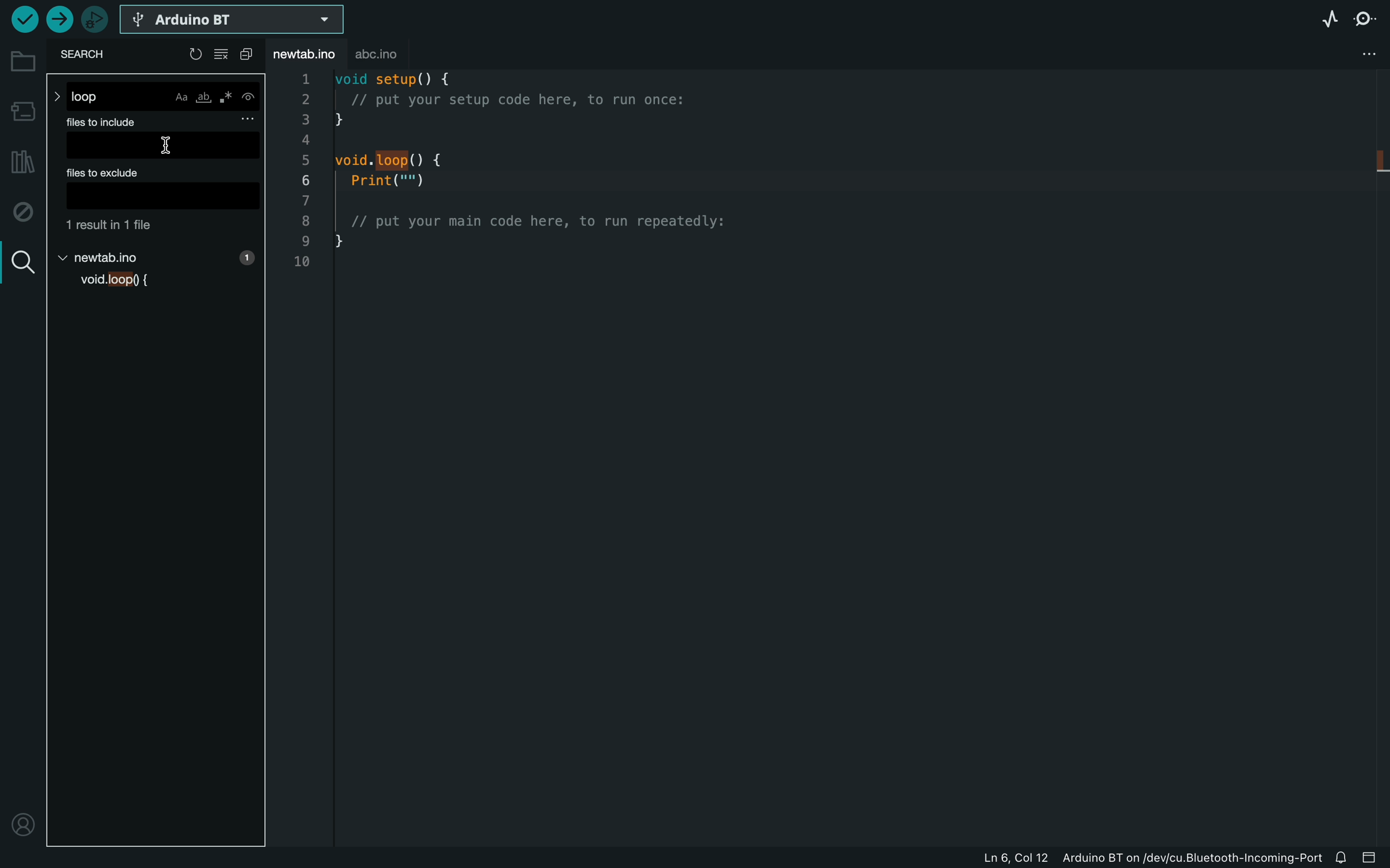 The height and width of the screenshot is (868, 1390). What do you see at coordinates (25, 212) in the screenshot?
I see `debug` at bounding box center [25, 212].